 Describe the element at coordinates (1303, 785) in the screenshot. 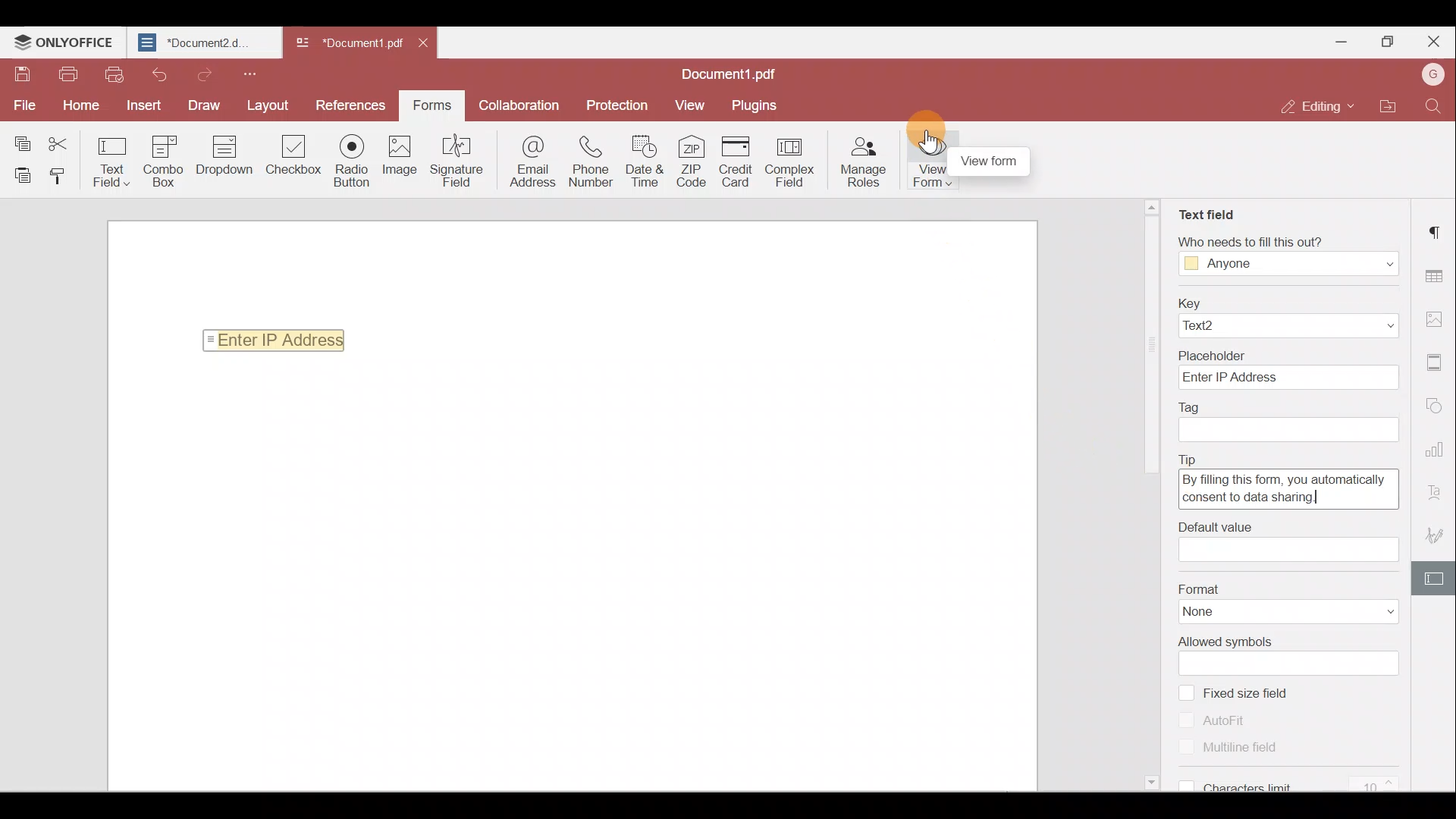

I see `Characters limit` at that location.